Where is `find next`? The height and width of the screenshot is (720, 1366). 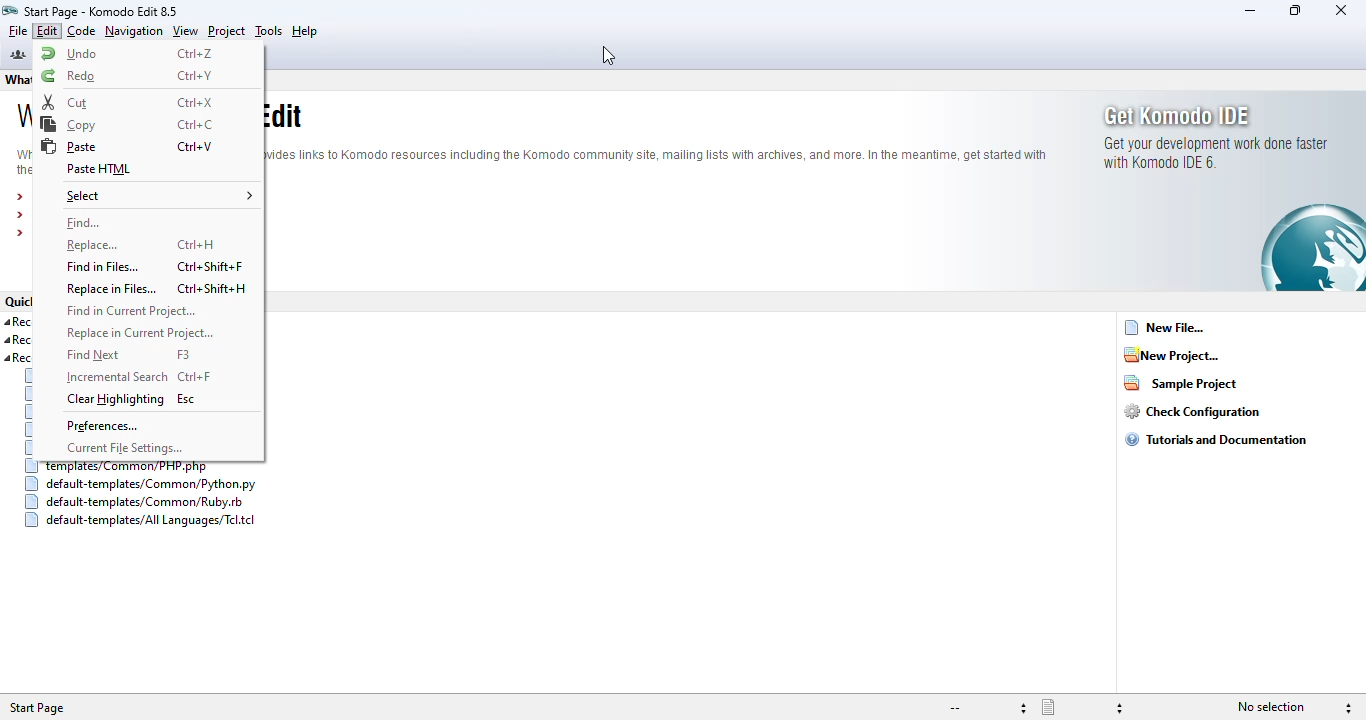
find next is located at coordinates (93, 355).